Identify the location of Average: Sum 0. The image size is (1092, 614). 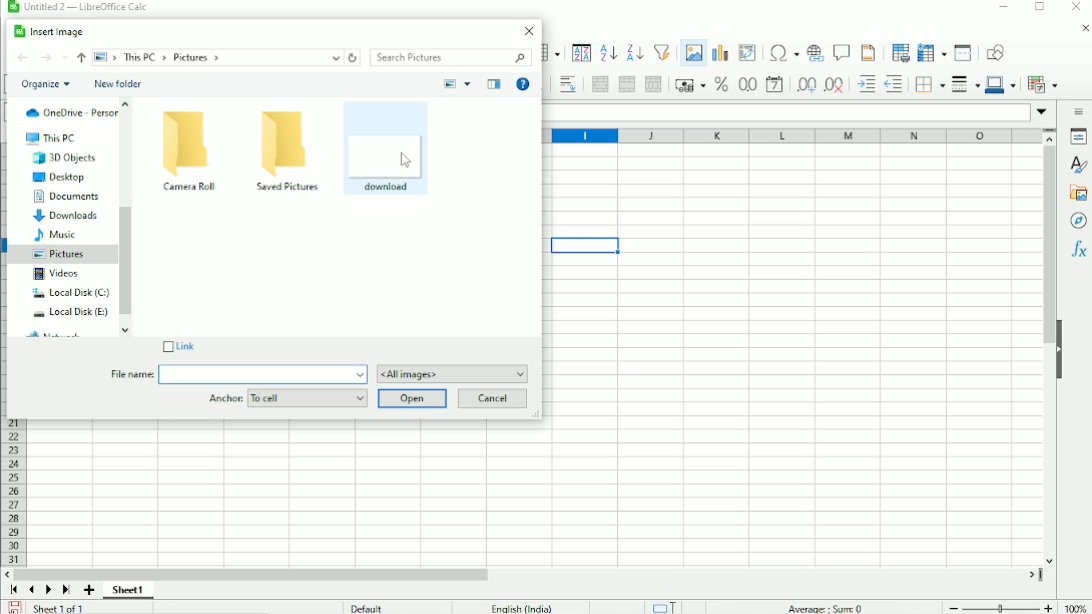
(824, 606).